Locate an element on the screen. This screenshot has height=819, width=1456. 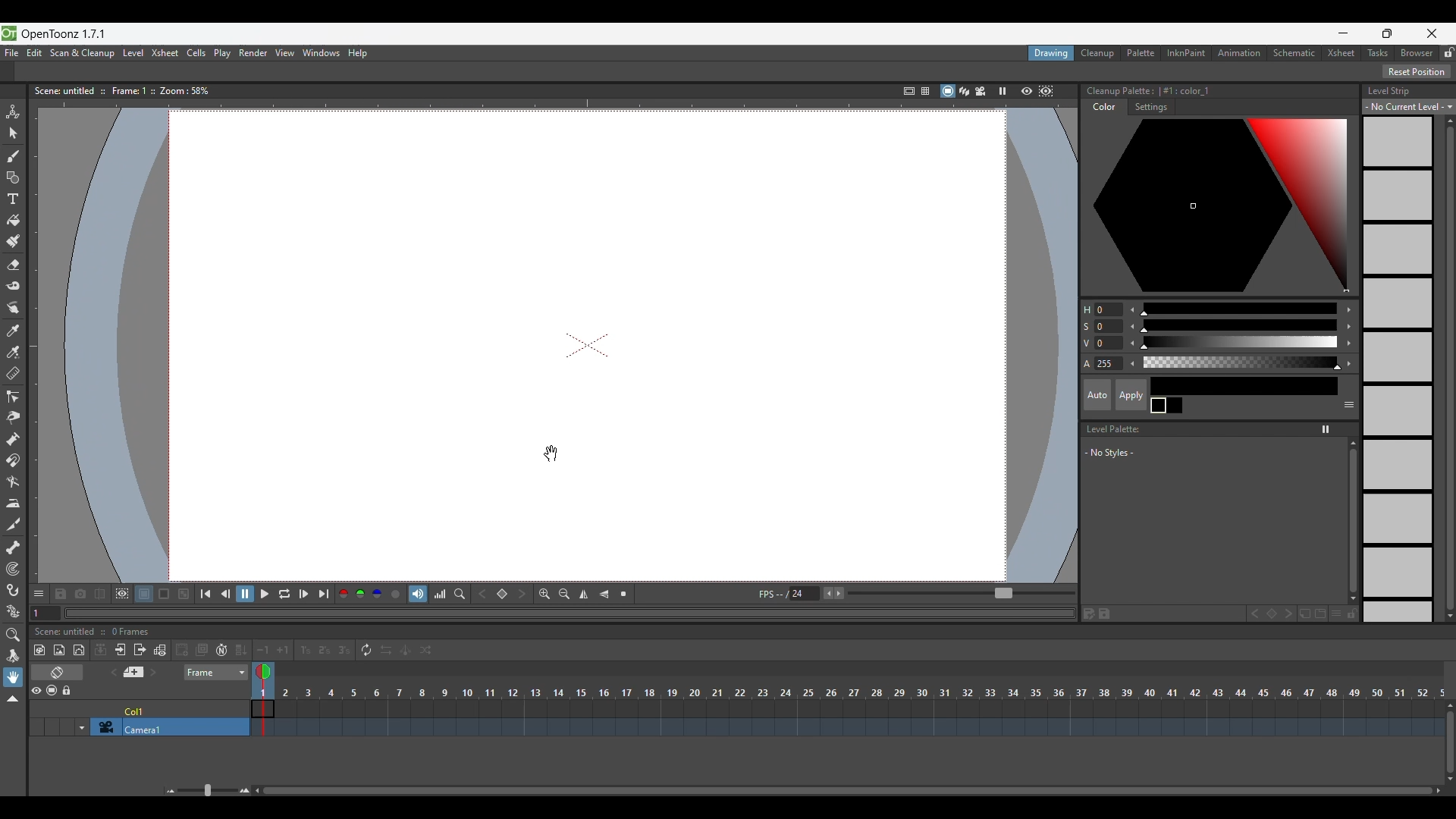
Next key is located at coordinates (522, 594).